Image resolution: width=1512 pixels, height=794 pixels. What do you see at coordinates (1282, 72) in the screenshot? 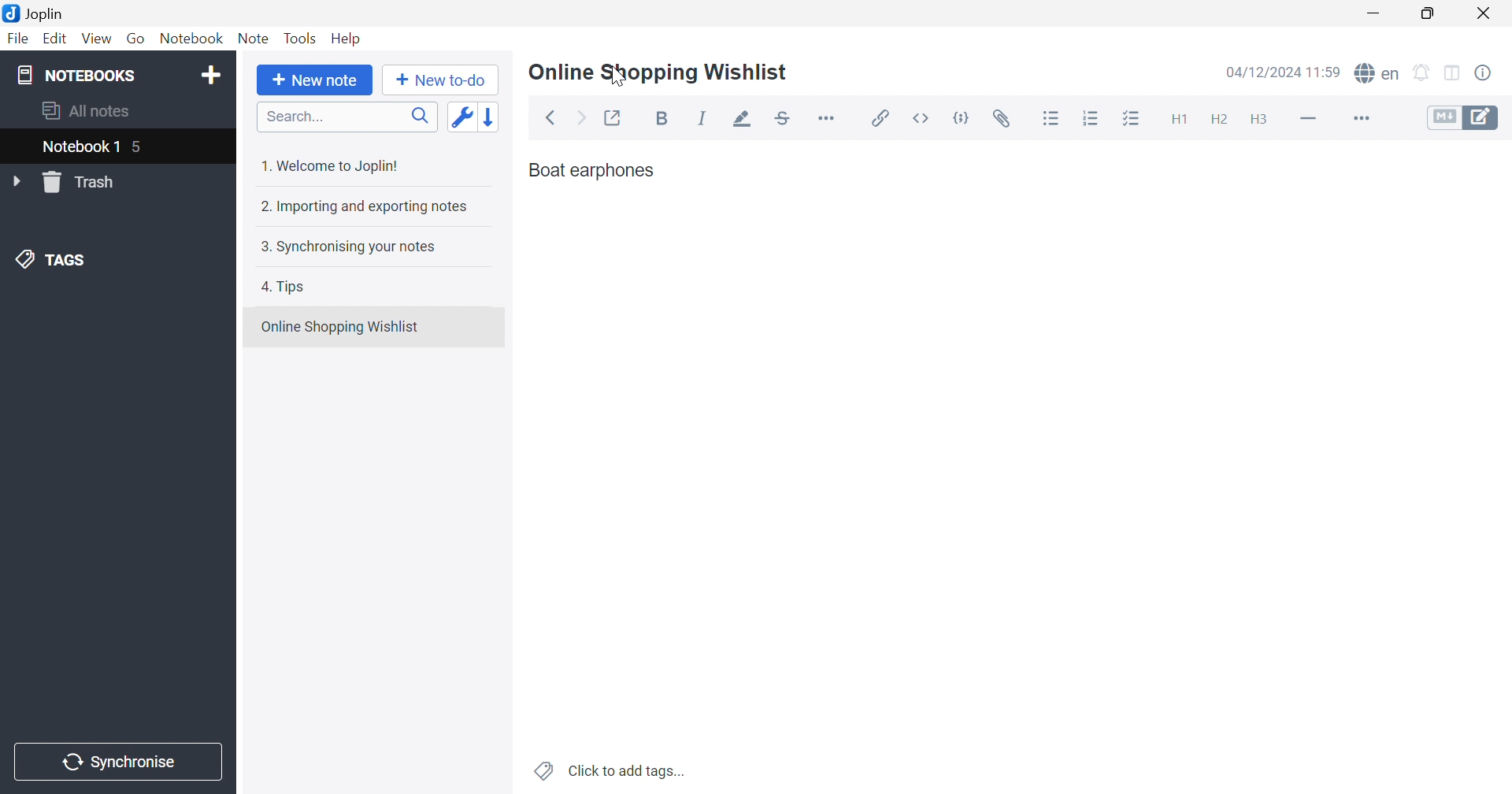
I see `04/12/2024 11:57` at bounding box center [1282, 72].